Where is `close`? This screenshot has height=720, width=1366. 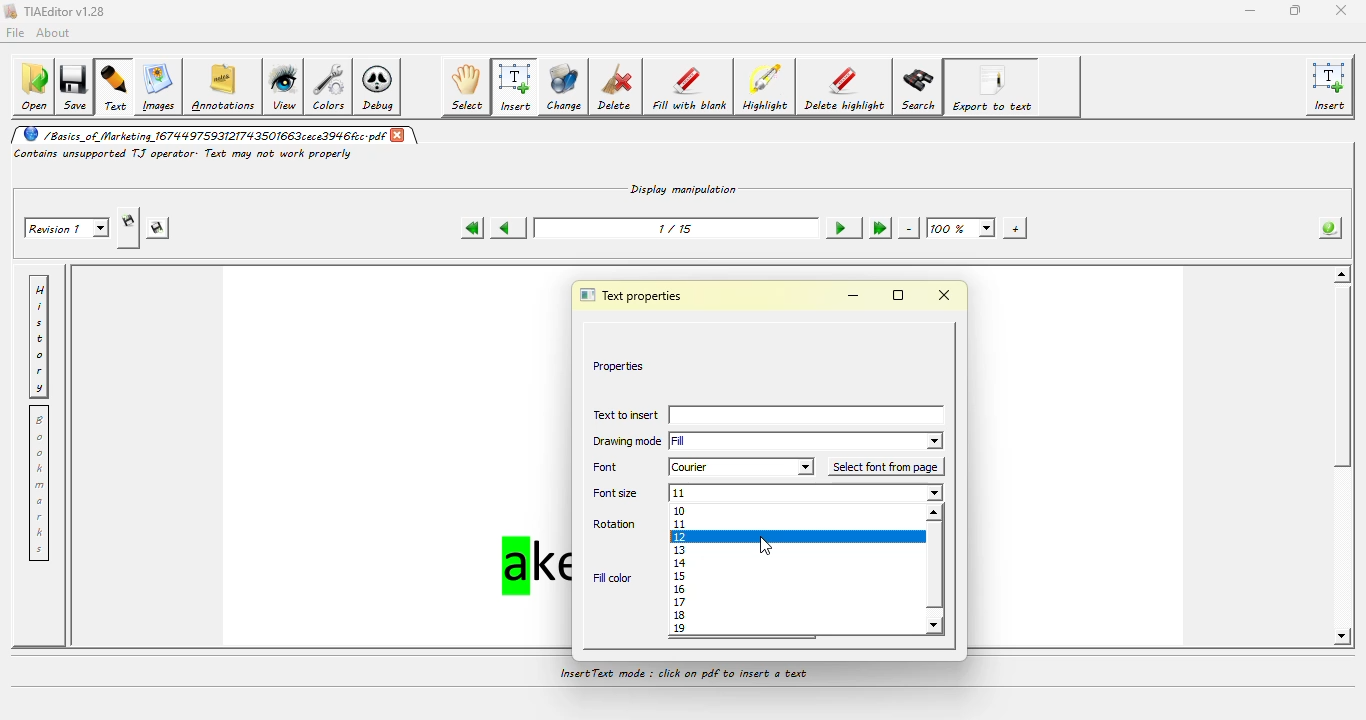
close is located at coordinates (401, 136).